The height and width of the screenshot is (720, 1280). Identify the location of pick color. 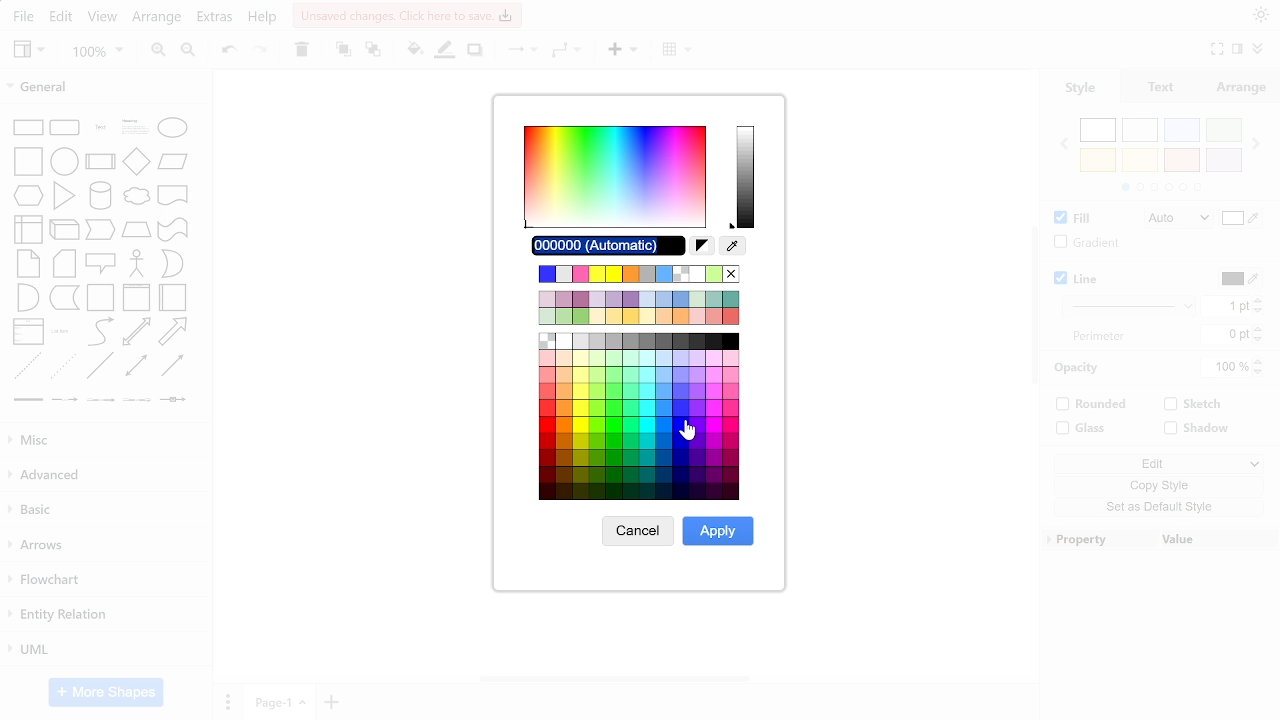
(734, 246).